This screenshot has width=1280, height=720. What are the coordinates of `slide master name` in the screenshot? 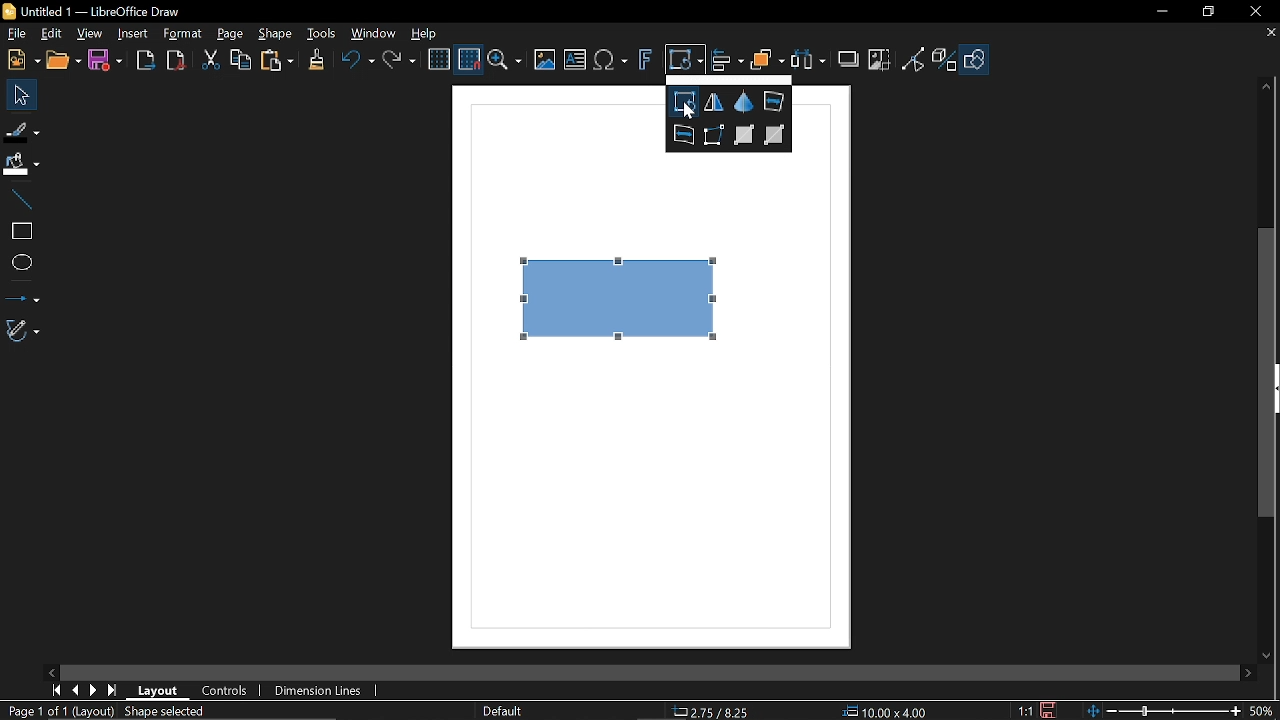 It's located at (504, 710).